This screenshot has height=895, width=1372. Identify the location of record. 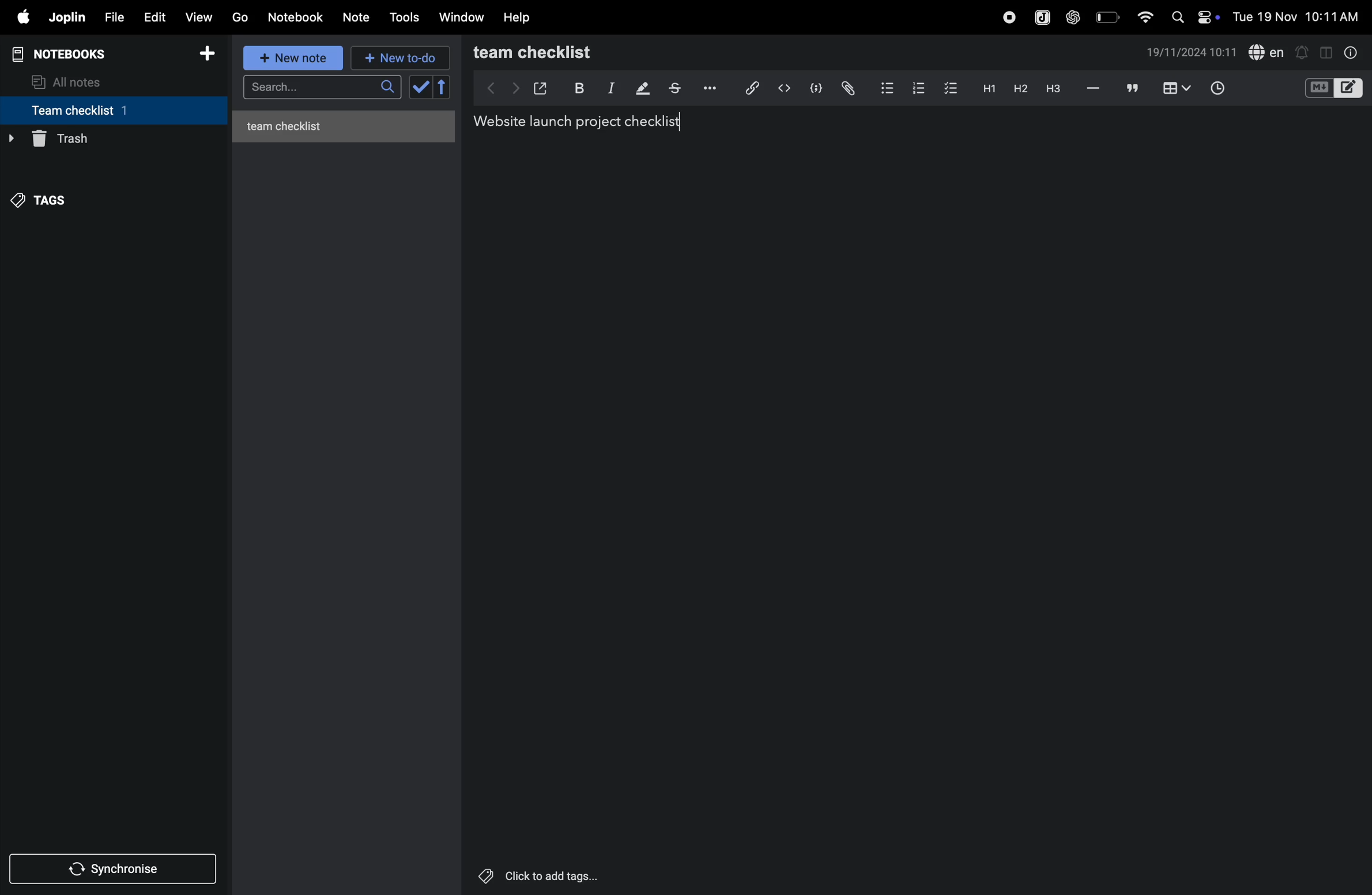
(1005, 17).